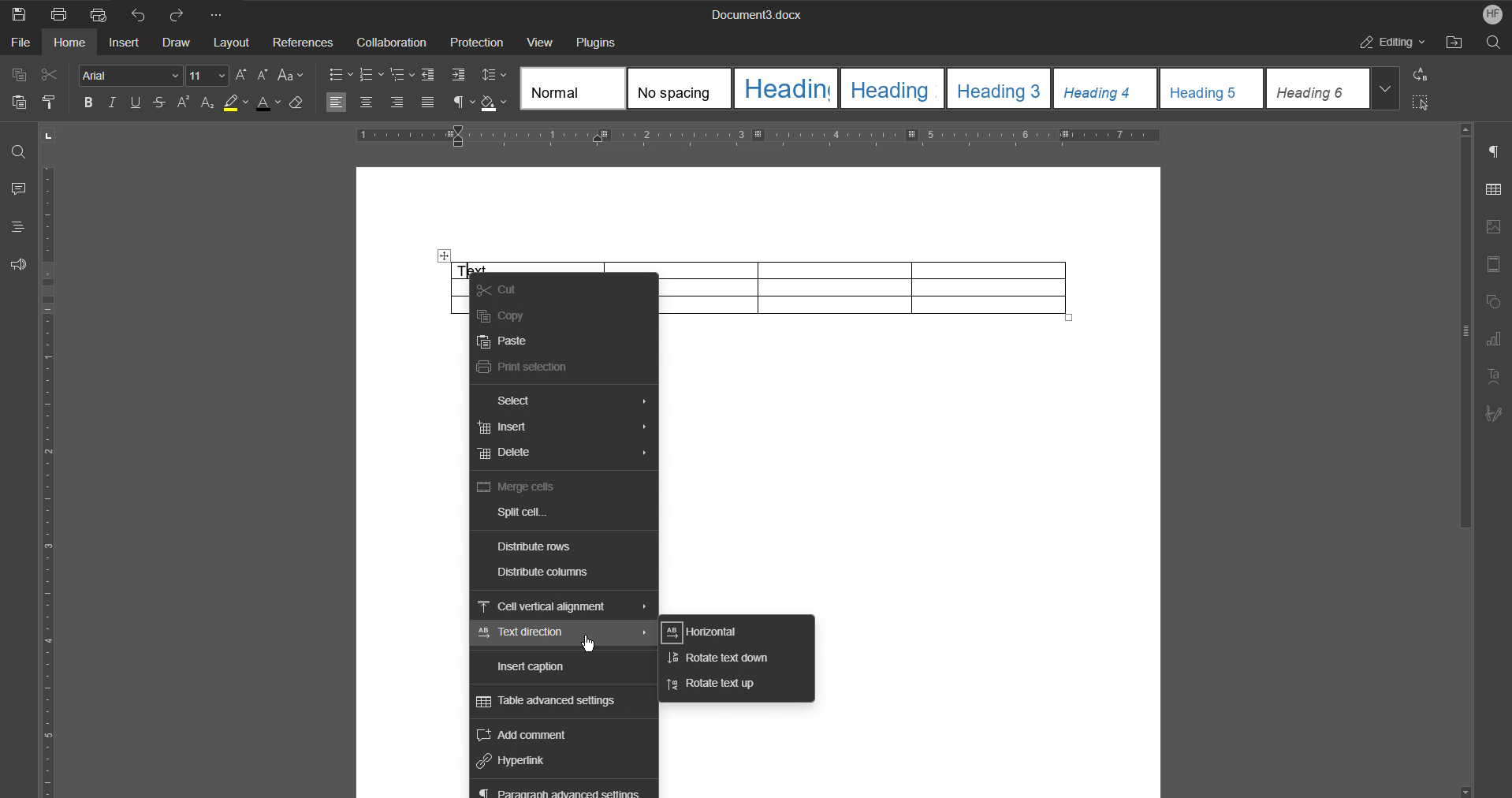 The height and width of the screenshot is (798, 1512). I want to click on Heading 5, so click(1212, 89).